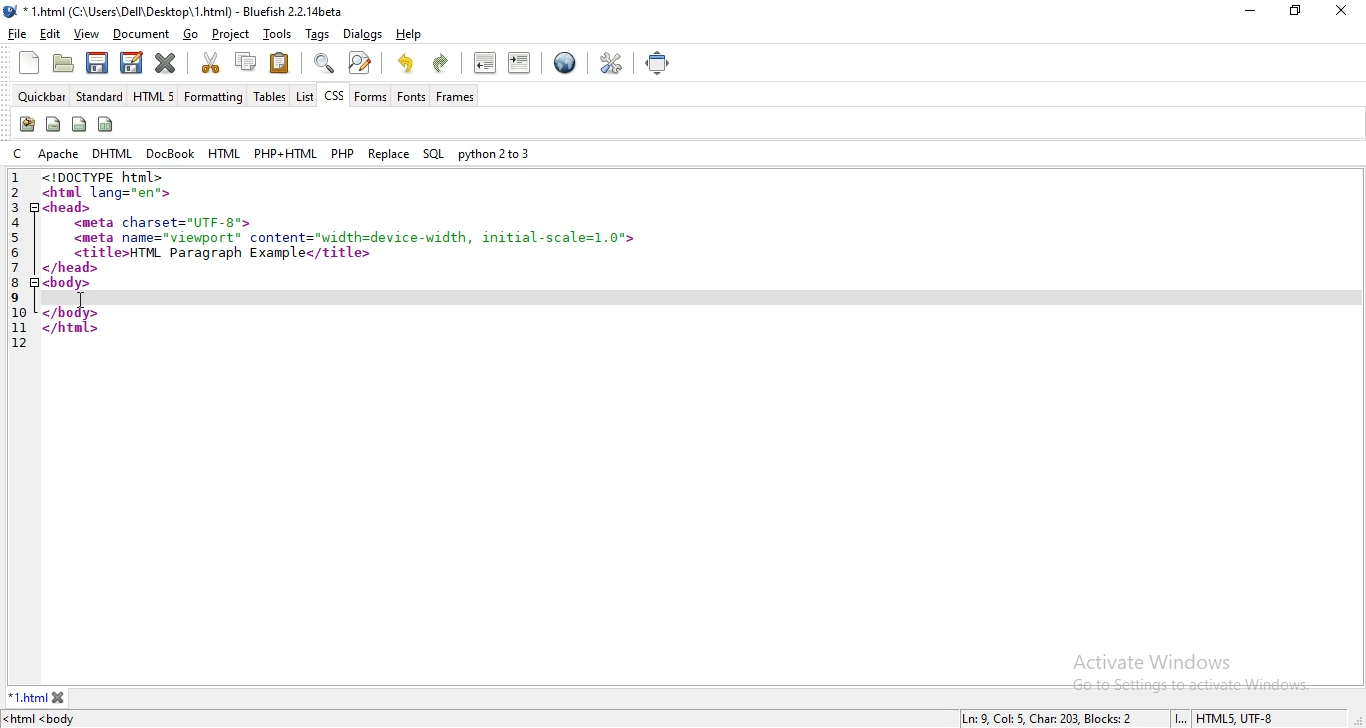  What do you see at coordinates (370, 96) in the screenshot?
I see `forms` at bounding box center [370, 96].